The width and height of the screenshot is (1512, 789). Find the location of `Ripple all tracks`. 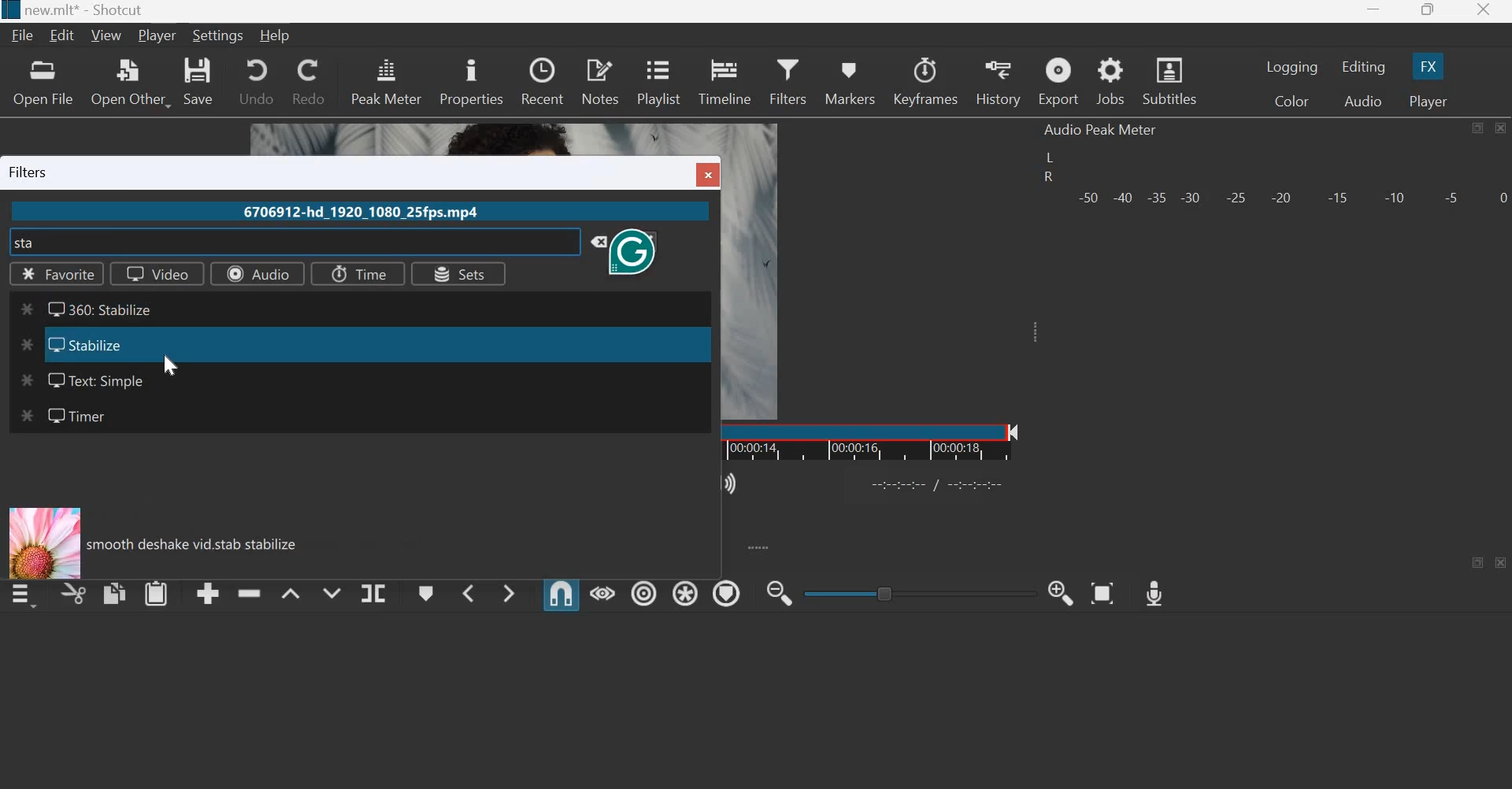

Ripple all tracks is located at coordinates (685, 591).